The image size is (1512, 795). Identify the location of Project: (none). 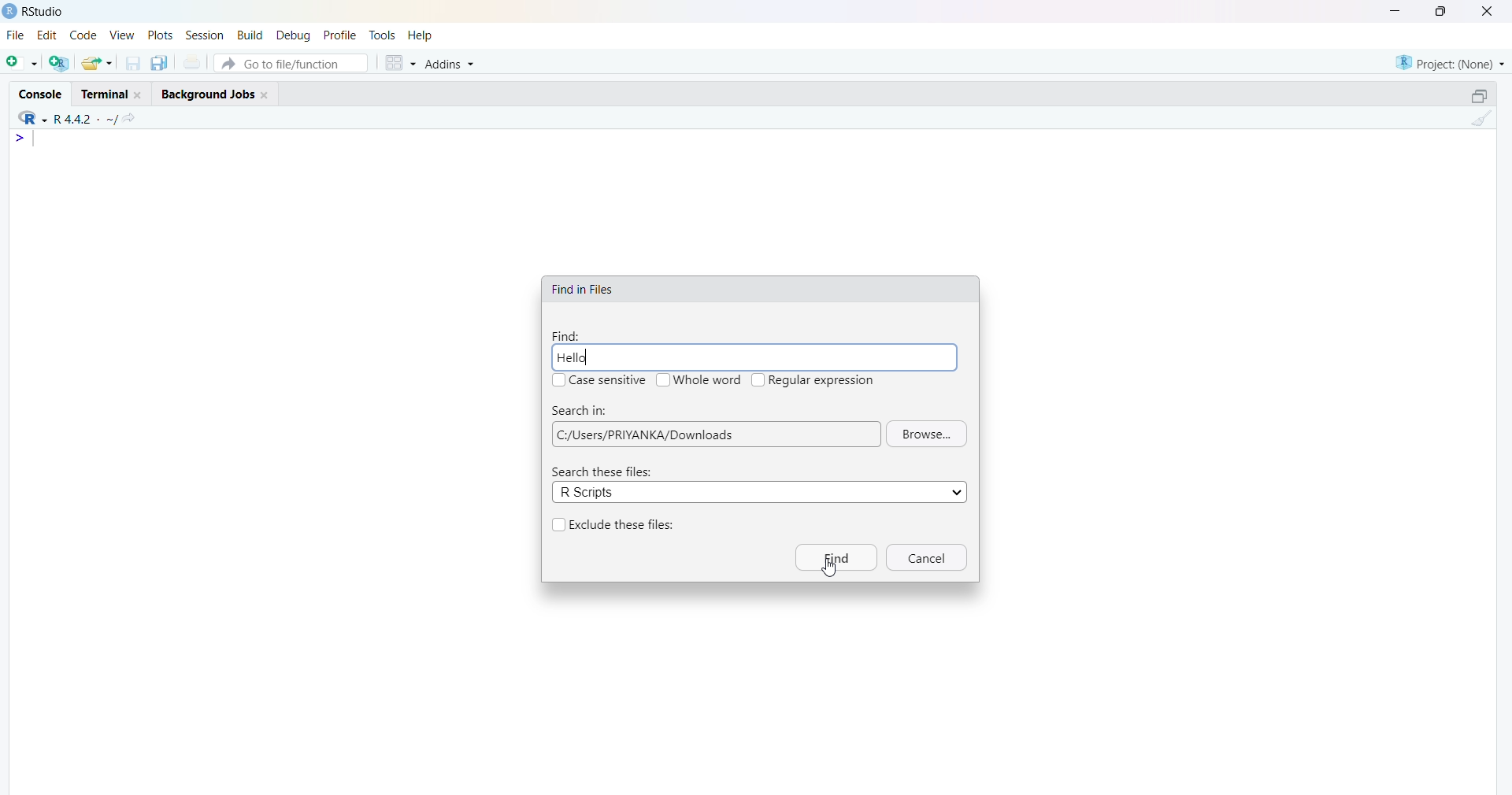
(1450, 64).